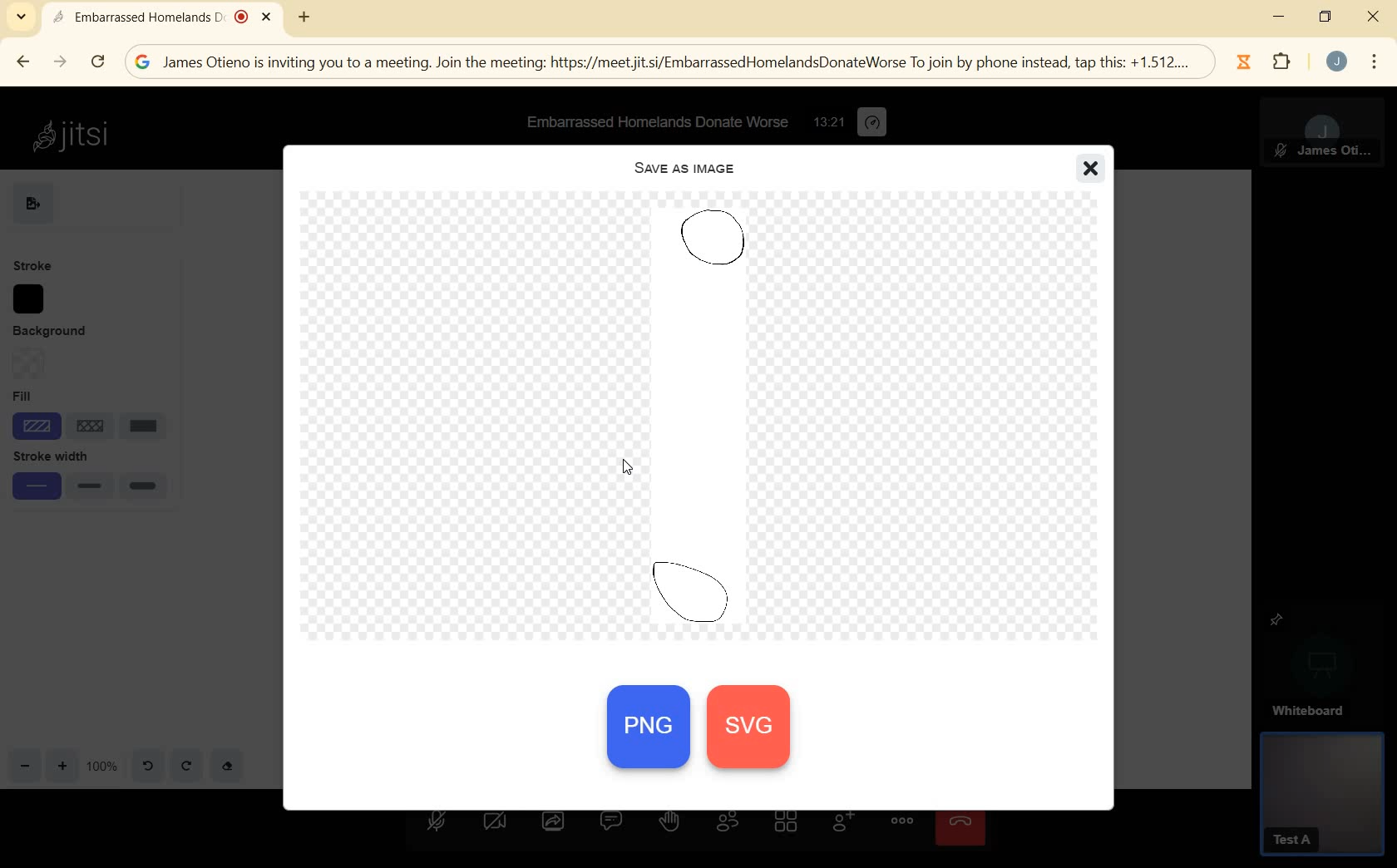 Image resolution: width=1397 pixels, height=868 pixels. I want to click on account, so click(1337, 62).